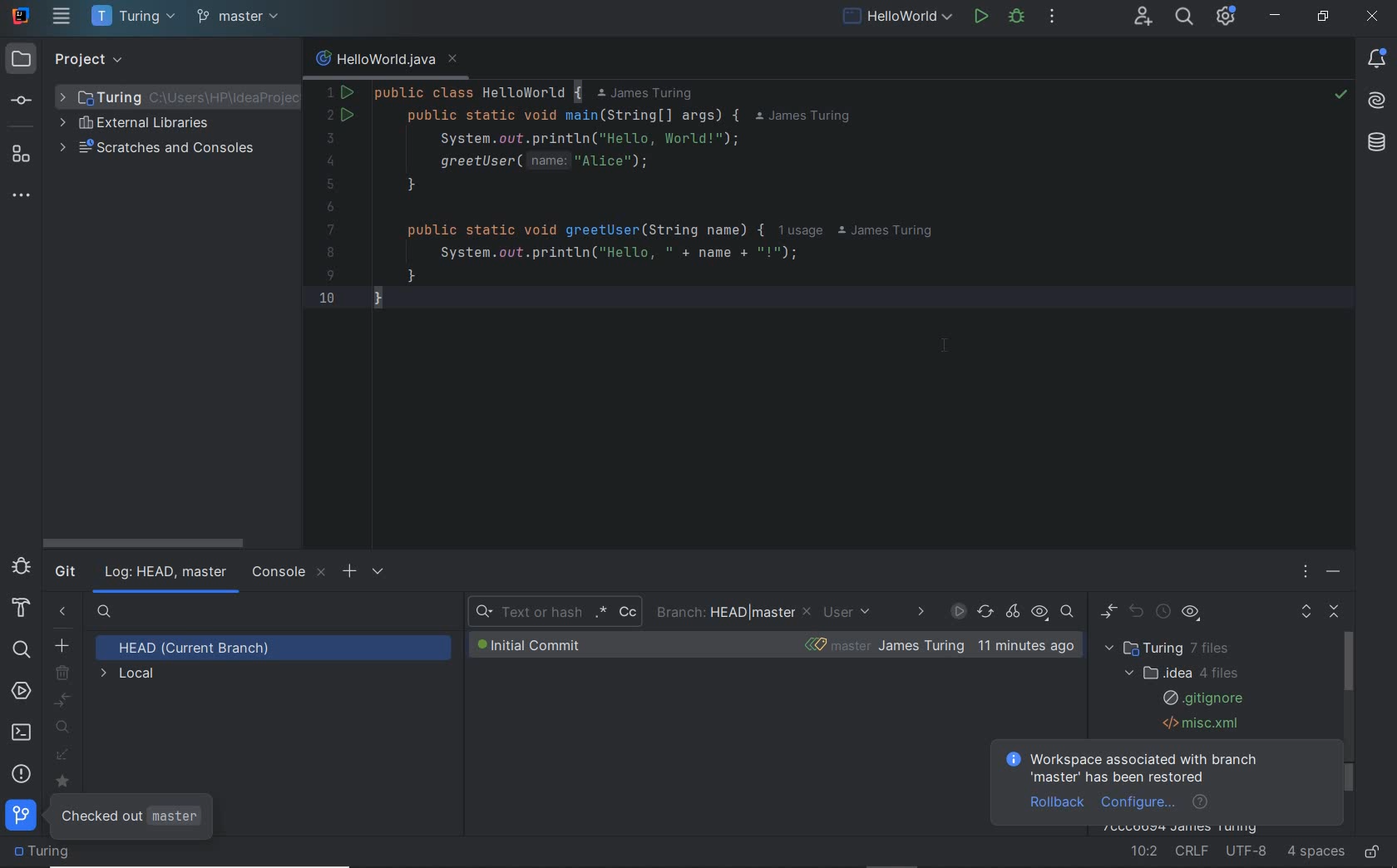  Describe the element at coordinates (1067, 612) in the screenshot. I see `go to hash/branch` at that location.